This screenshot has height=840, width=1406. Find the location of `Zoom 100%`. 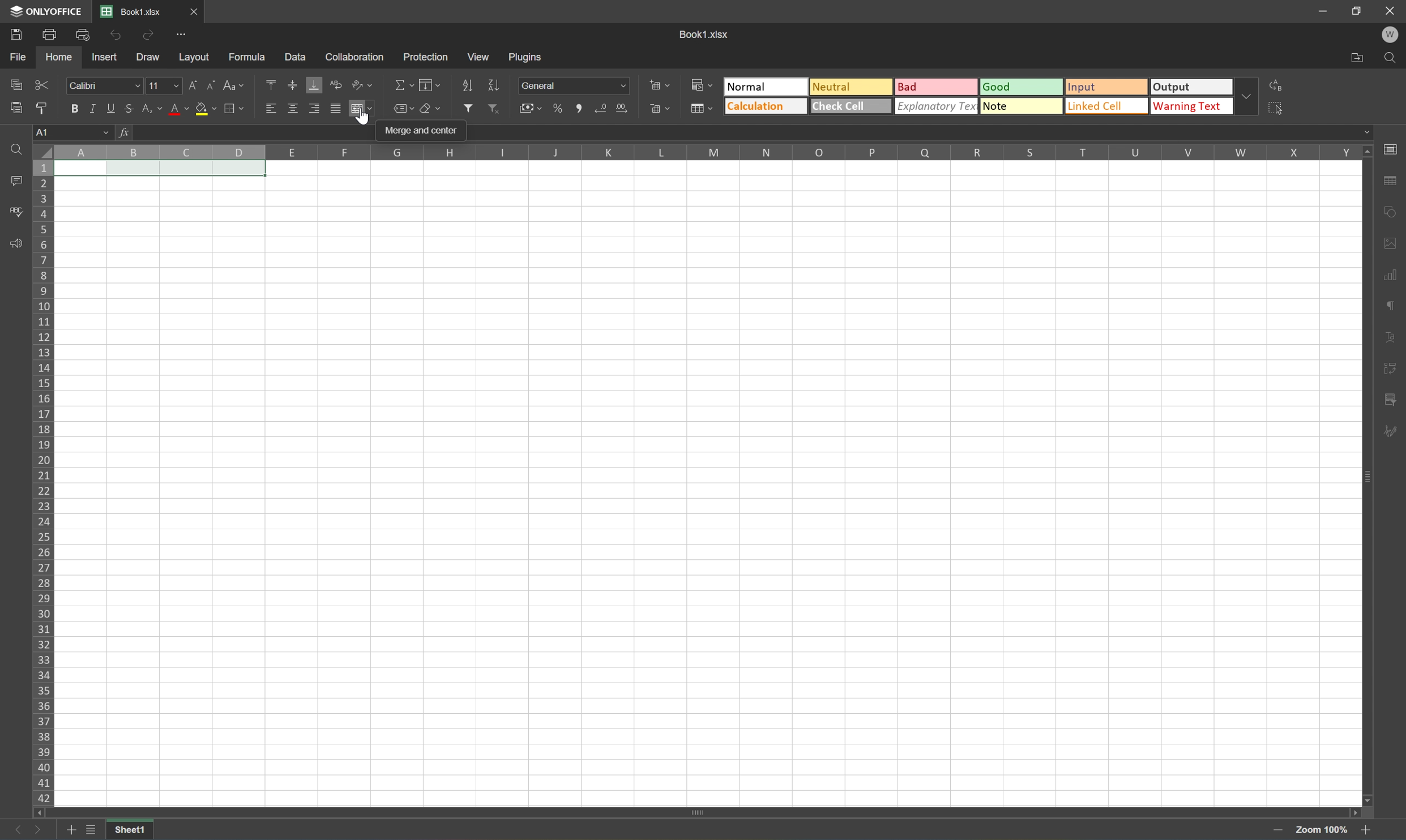

Zoom 100% is located at coordinates (1319, 830).